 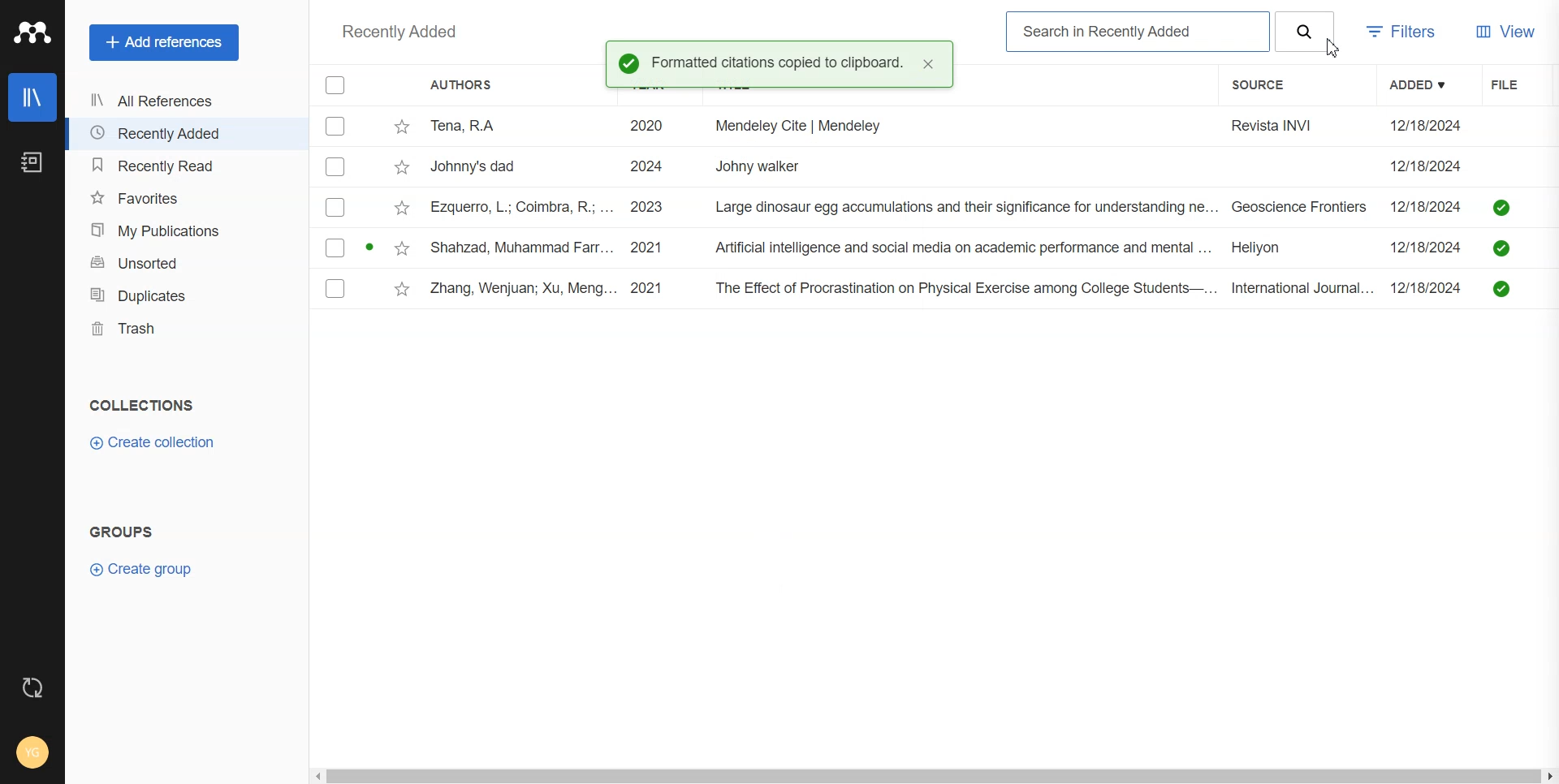 What do you see at coordinates (460, 84) in the screenshot?
I see `Authors` at bounding box center [460, 84].